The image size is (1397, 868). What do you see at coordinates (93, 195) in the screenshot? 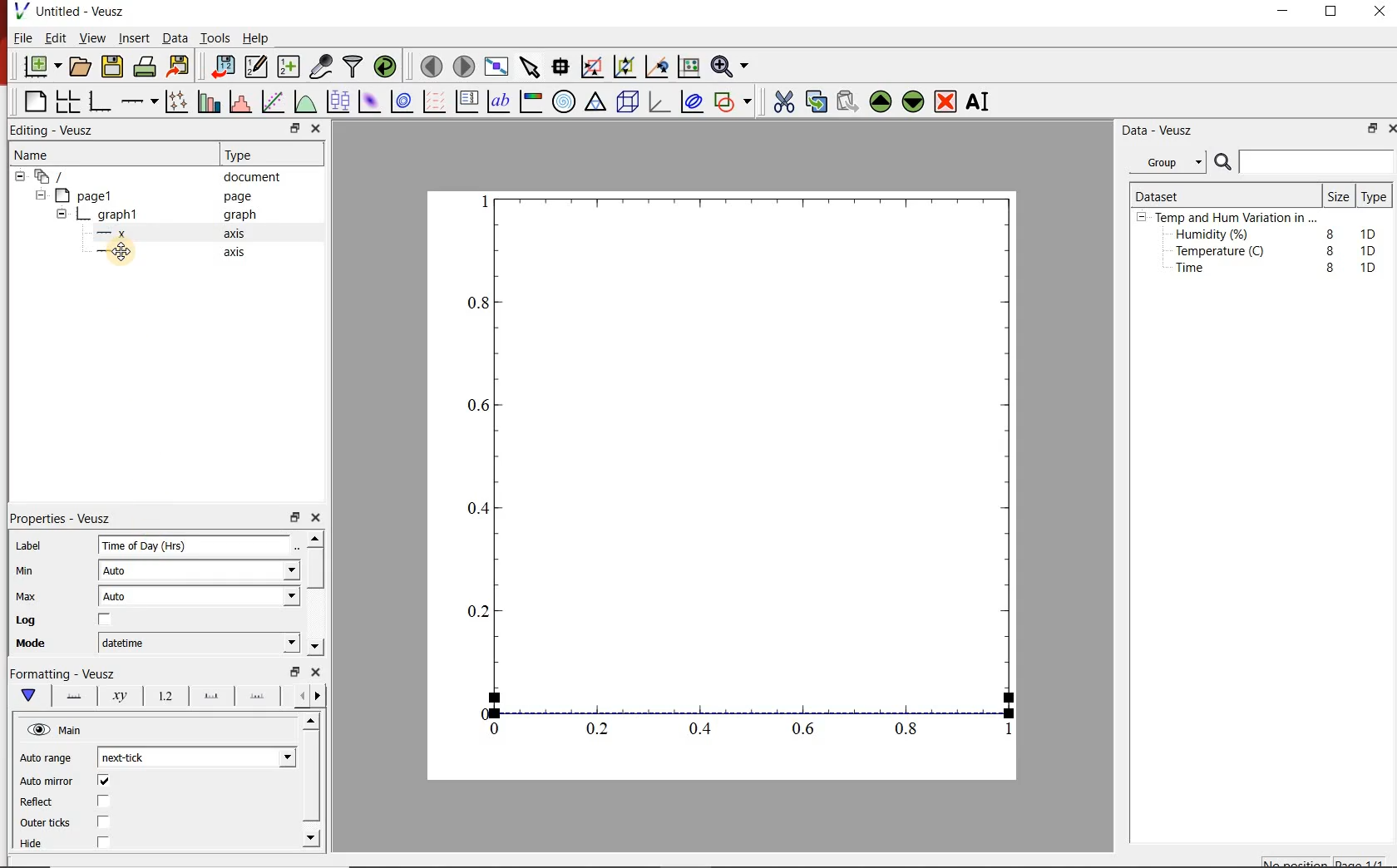
I see `page1` at bounding box center [93, 195].